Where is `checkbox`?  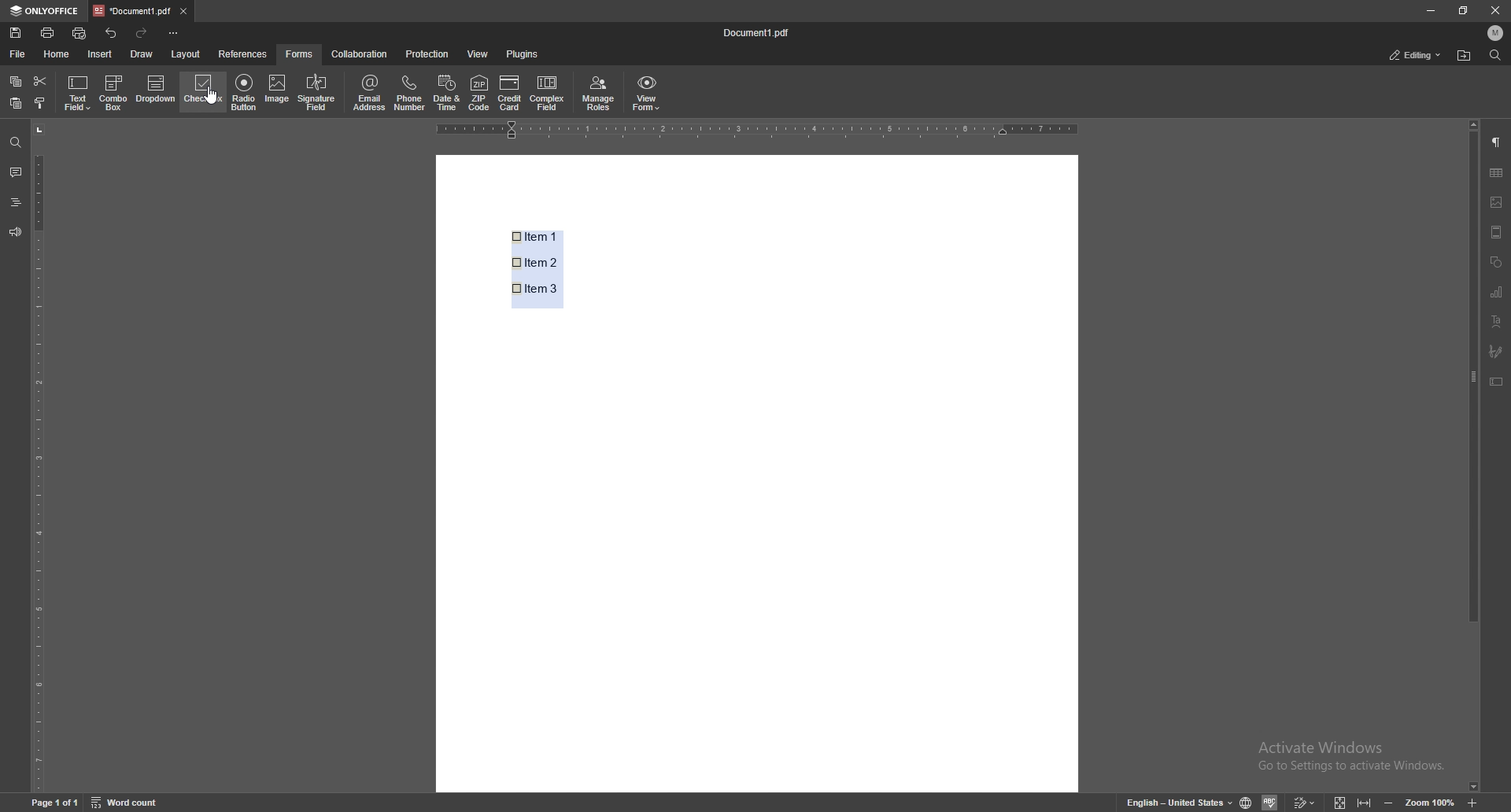
checkbox is located at coordinates (202, 94).